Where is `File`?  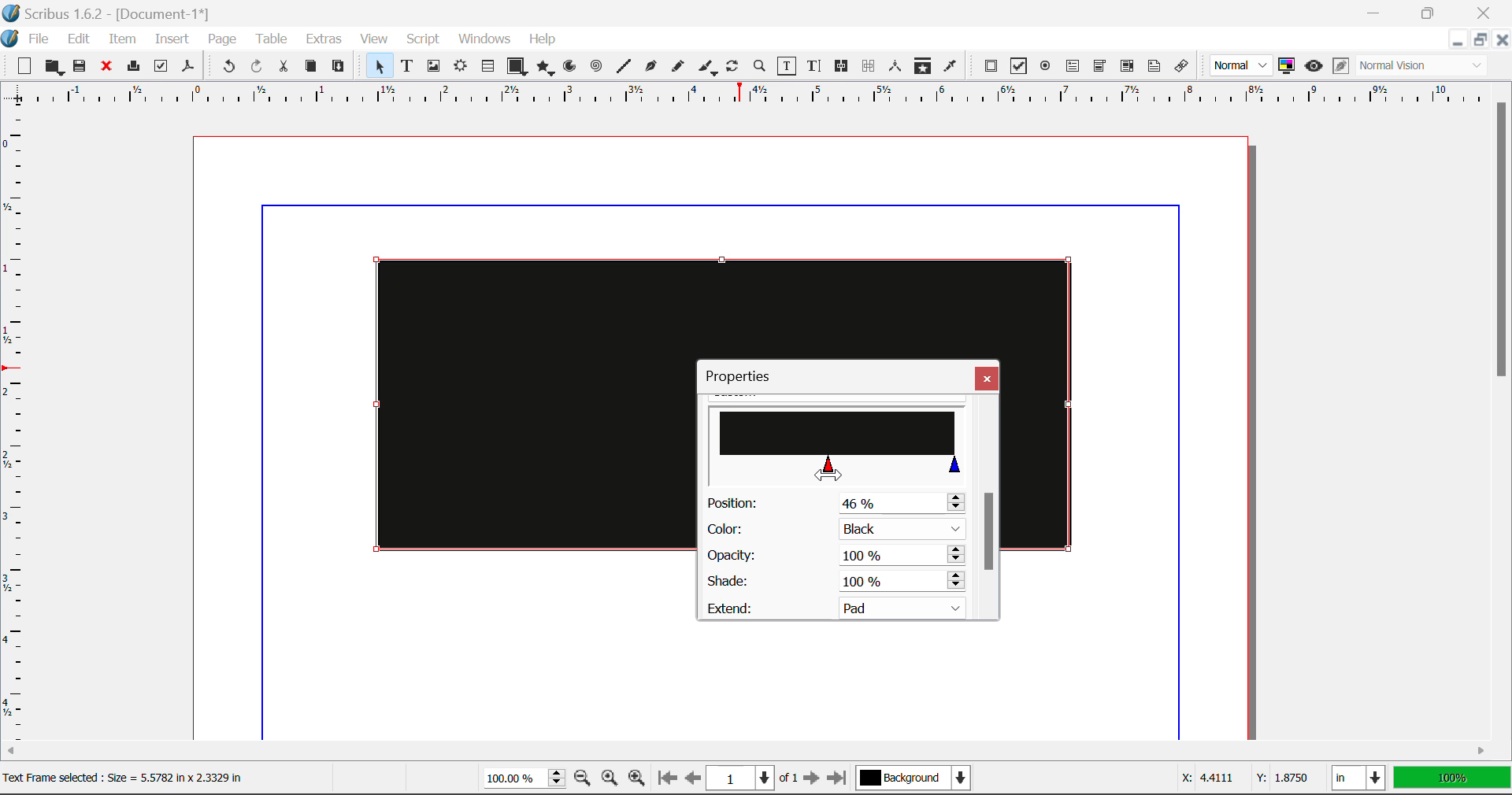
File is located at coordinates (43, 39).